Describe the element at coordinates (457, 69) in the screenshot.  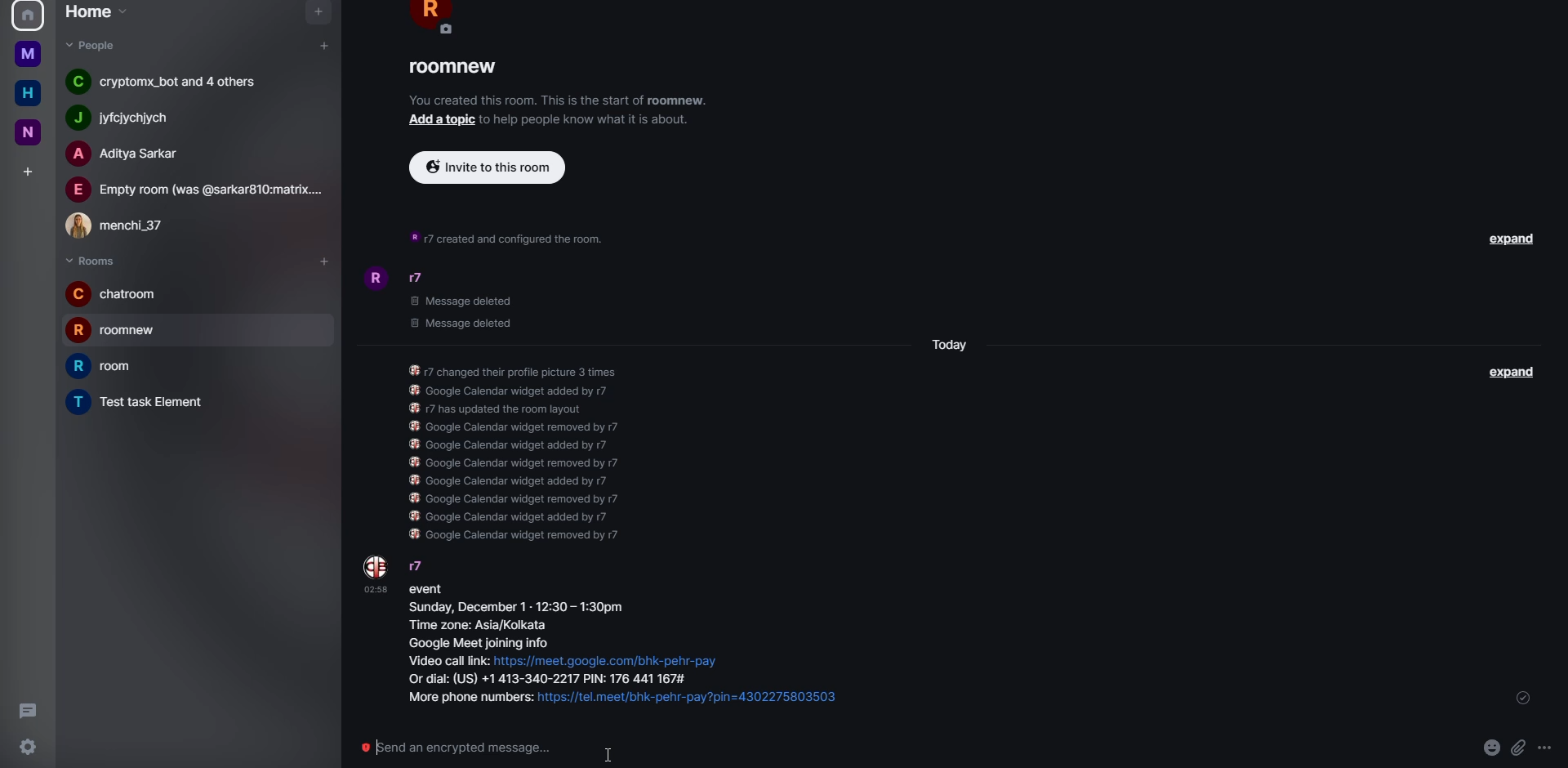
I see `room` at that location.